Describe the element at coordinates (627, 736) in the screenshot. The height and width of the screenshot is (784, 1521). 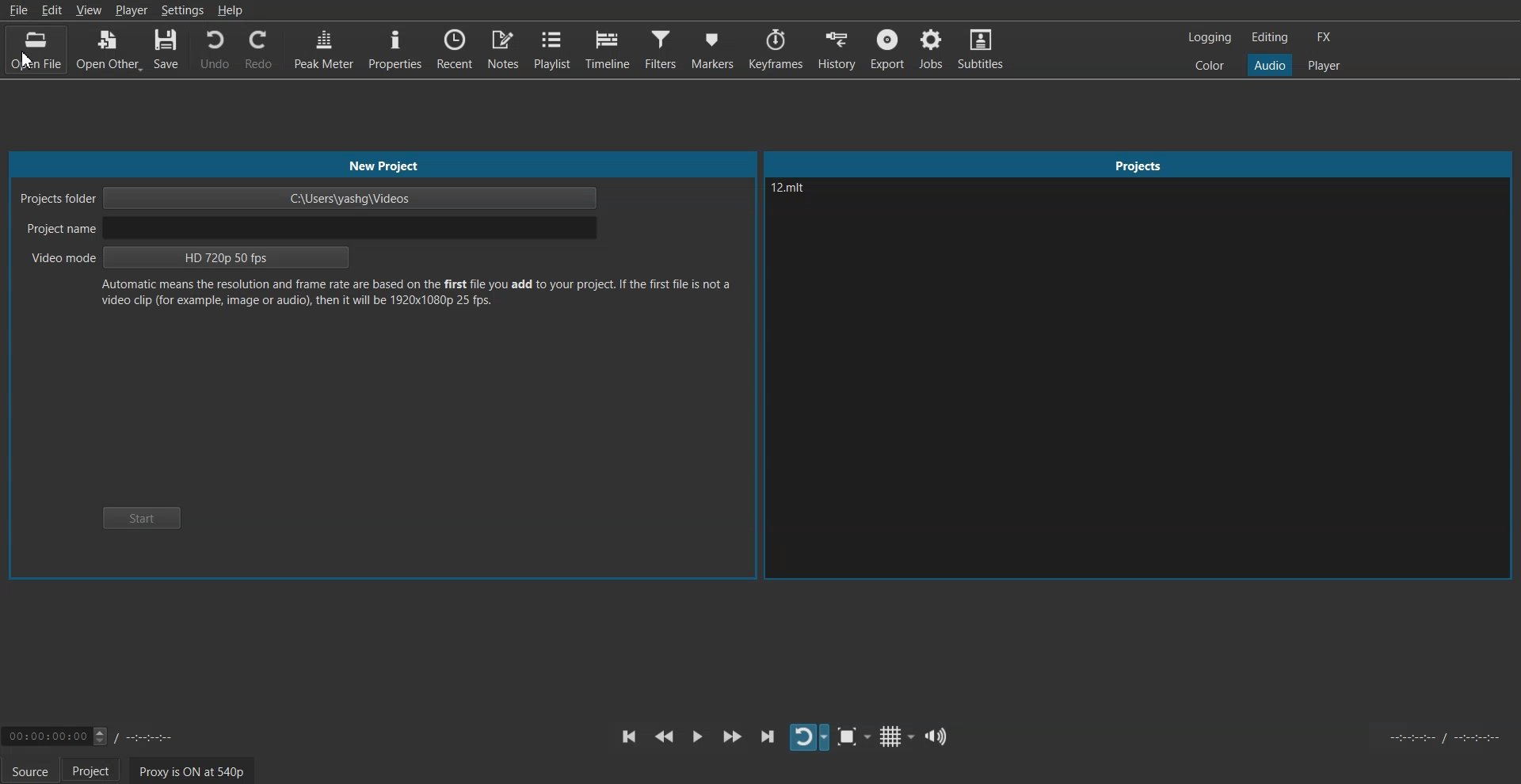
I see `Skip to the previous point` at that location.